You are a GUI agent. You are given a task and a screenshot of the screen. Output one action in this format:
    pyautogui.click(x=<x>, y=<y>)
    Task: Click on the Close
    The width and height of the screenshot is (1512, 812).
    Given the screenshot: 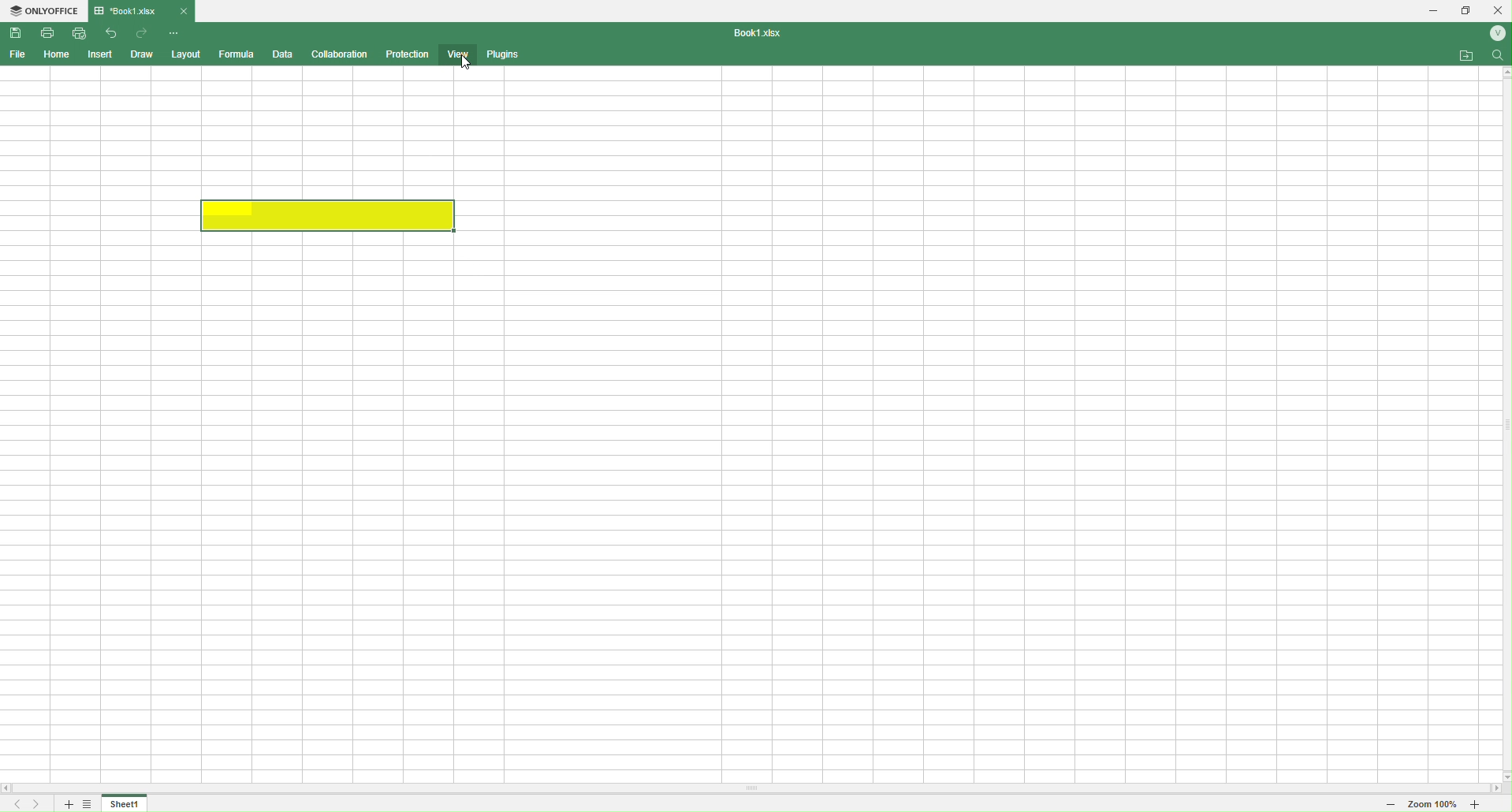 What is the action you would take?
    pyautogui.click(x=1498, y=9)
    